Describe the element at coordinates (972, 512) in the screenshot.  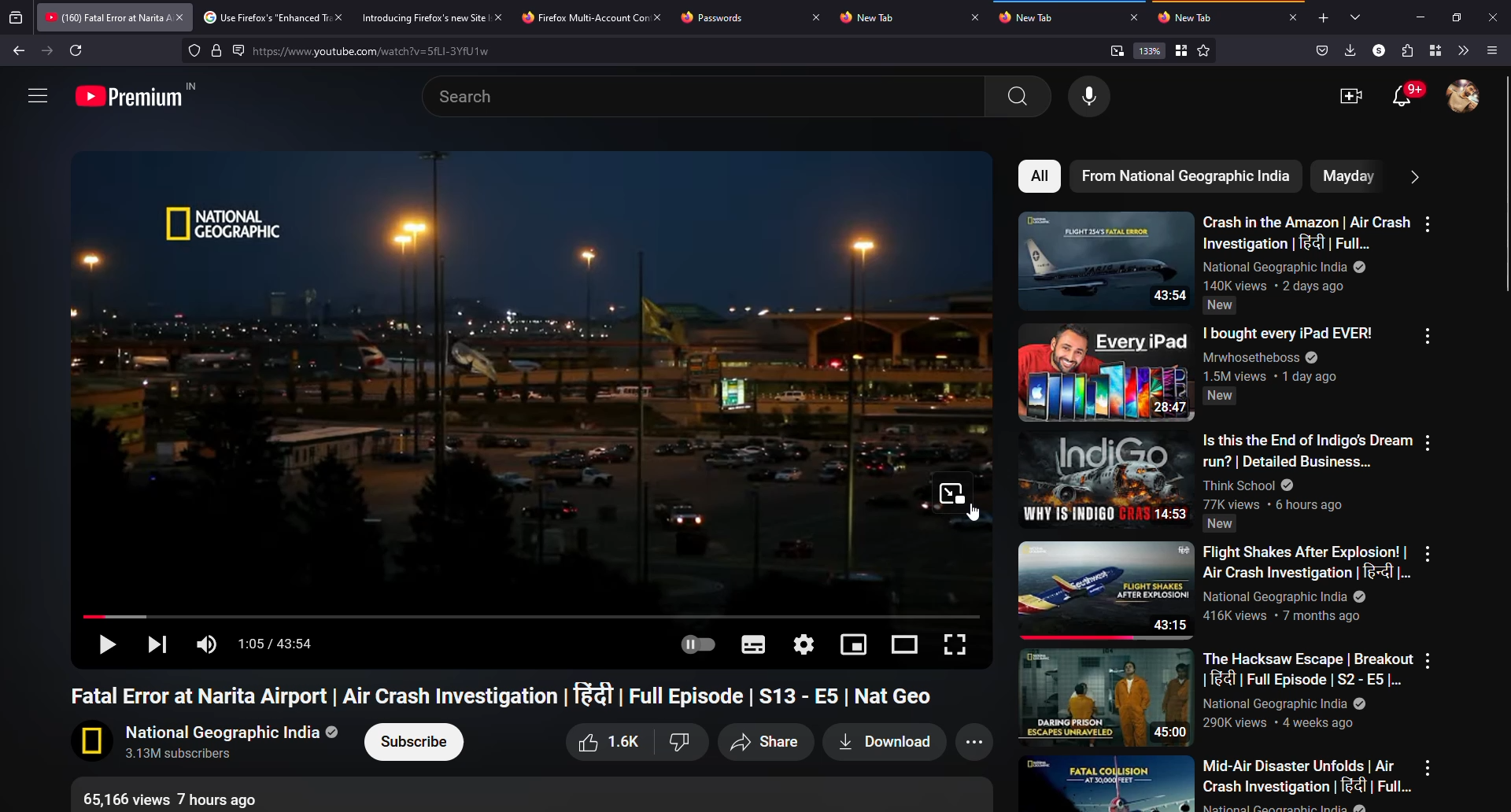
I see `Cursor` at that location.